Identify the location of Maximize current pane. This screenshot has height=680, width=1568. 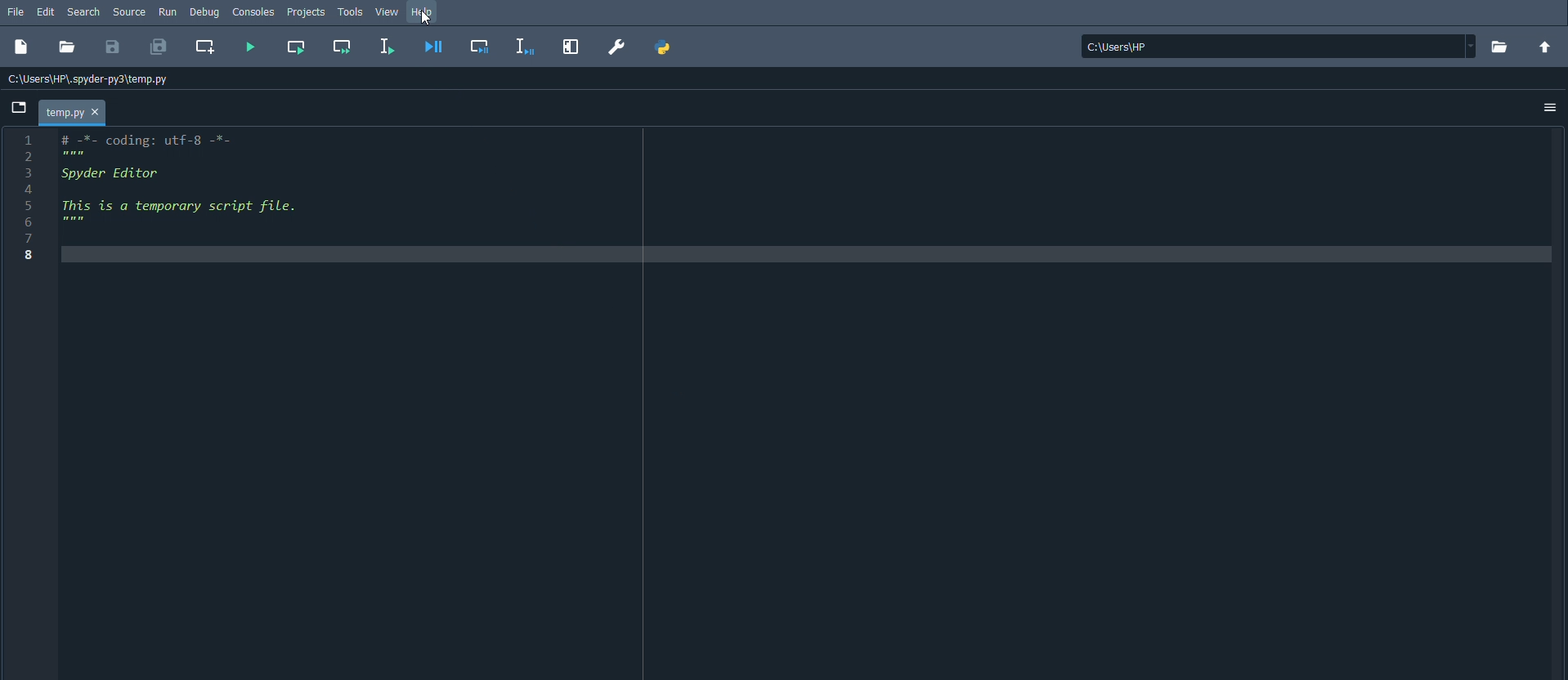
(571, 46).